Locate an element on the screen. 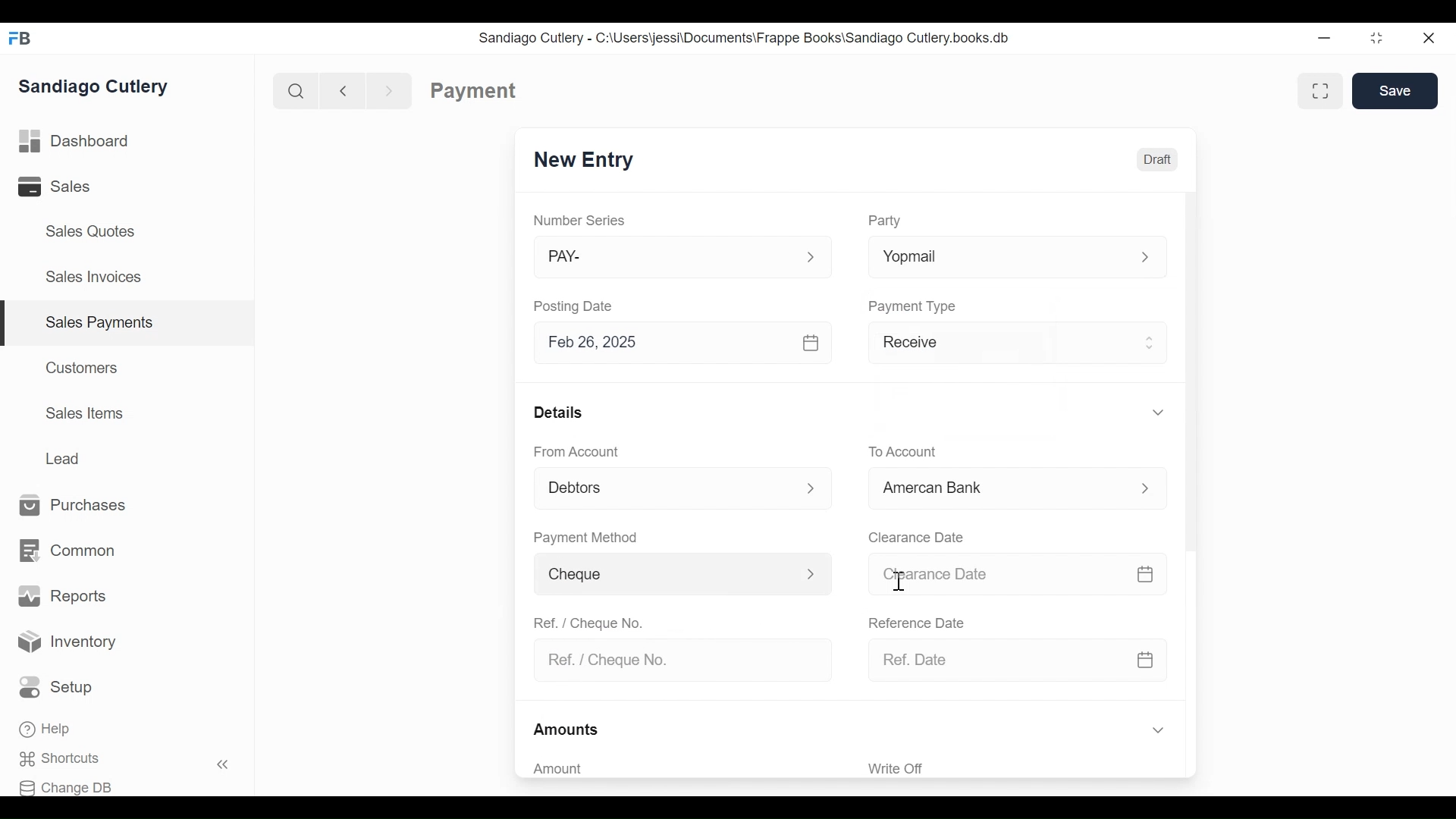 The width and height of the screenshot is (1456, 819). Feb 26, 2025  is located at coordinates (663, 343).